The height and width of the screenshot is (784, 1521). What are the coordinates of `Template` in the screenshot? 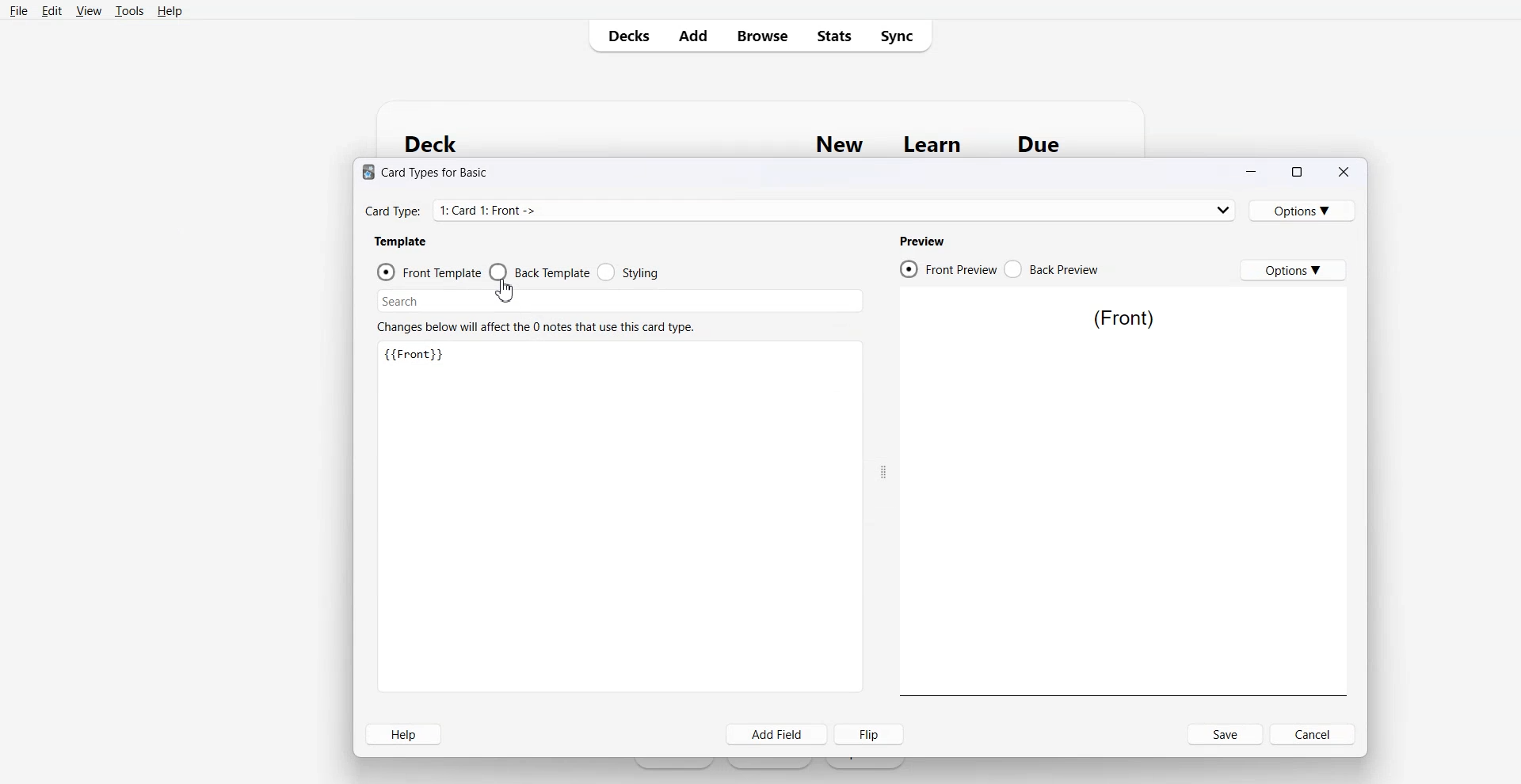 It's located at (402, 242).